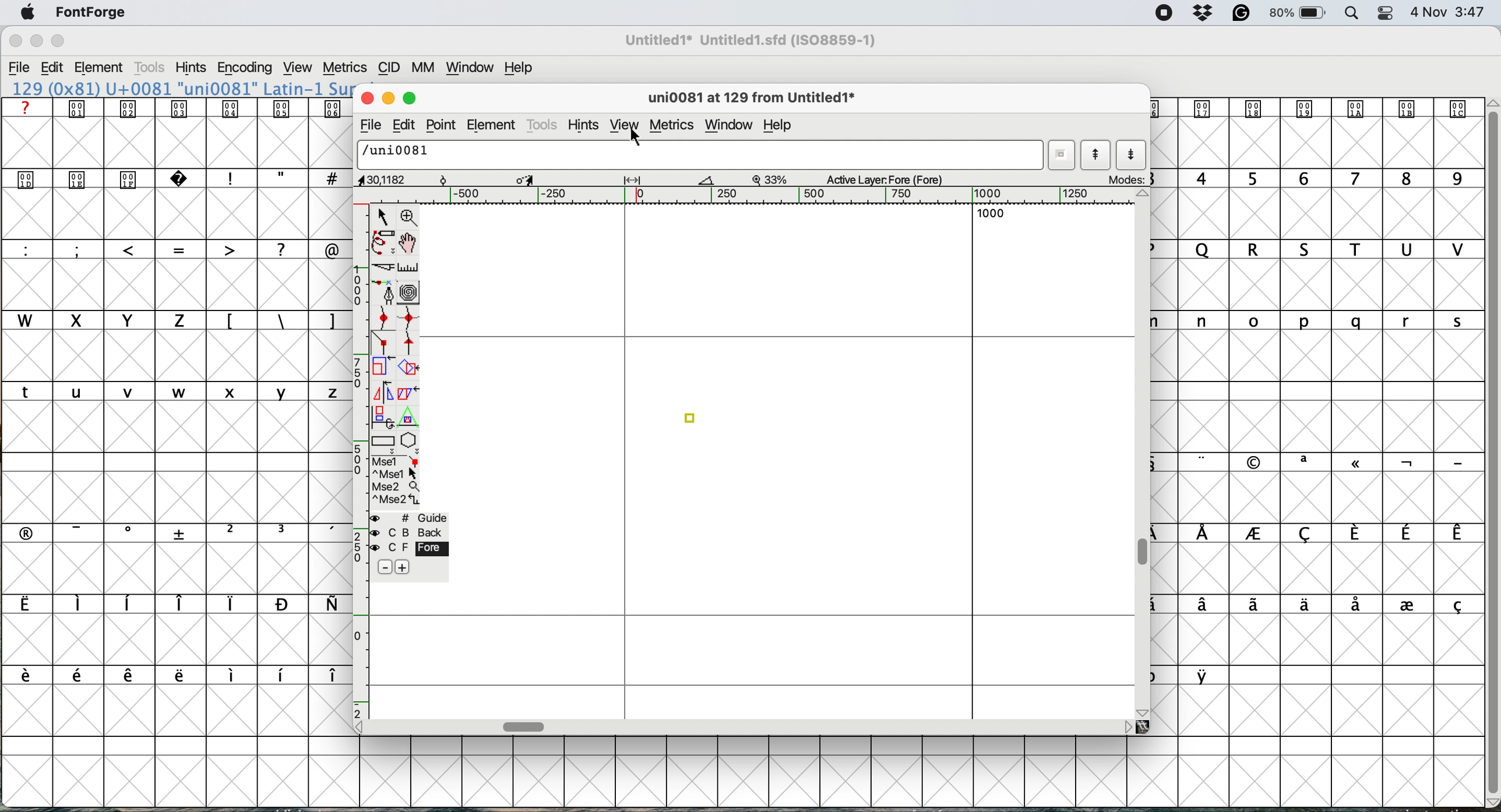  Describe the element at coordinates (383, 266) in the screenshot. I see `cut splines in two` at that location.